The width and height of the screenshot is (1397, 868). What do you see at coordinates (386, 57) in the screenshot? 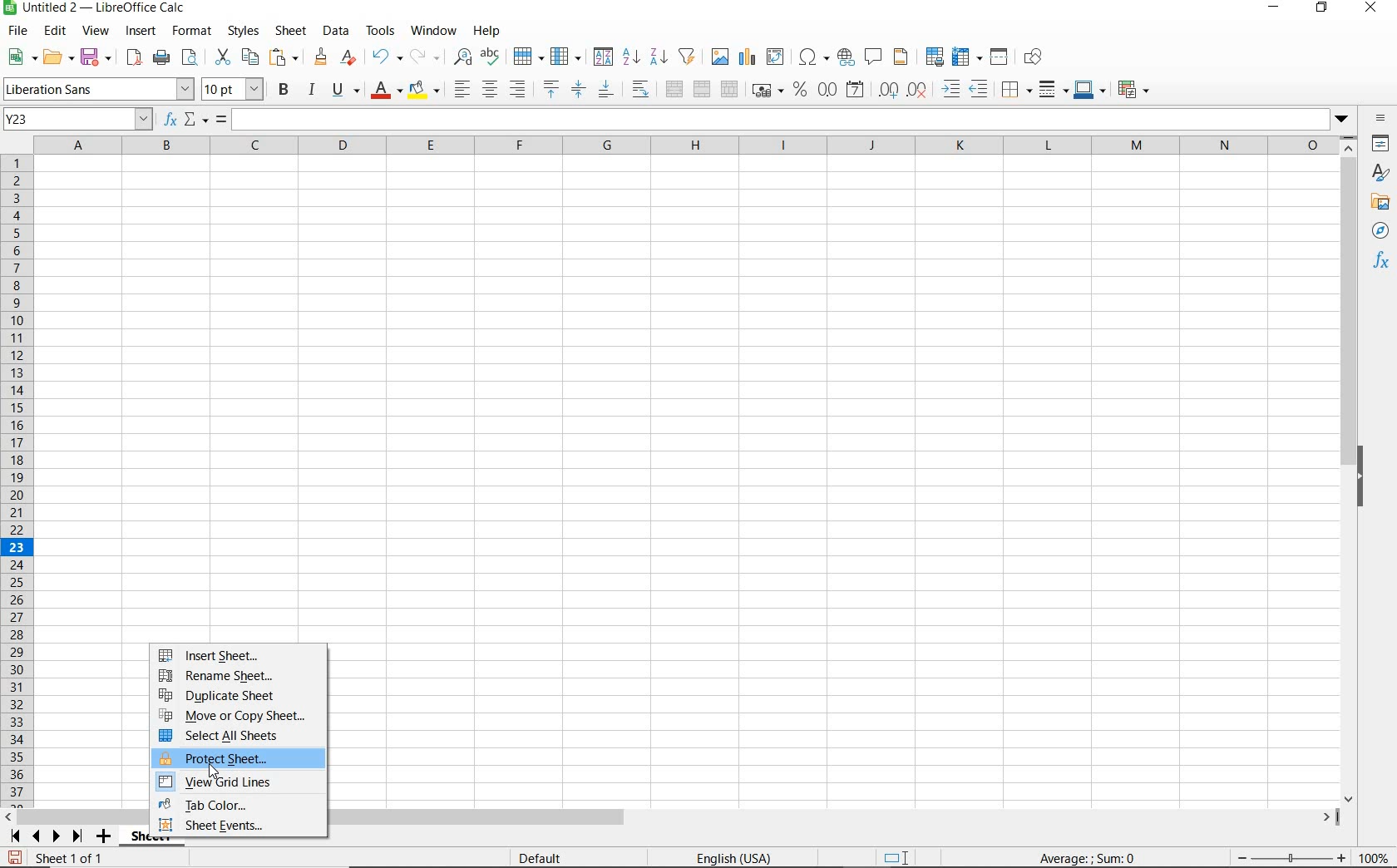
I see `UNDO` at bounding box center [386, 57].